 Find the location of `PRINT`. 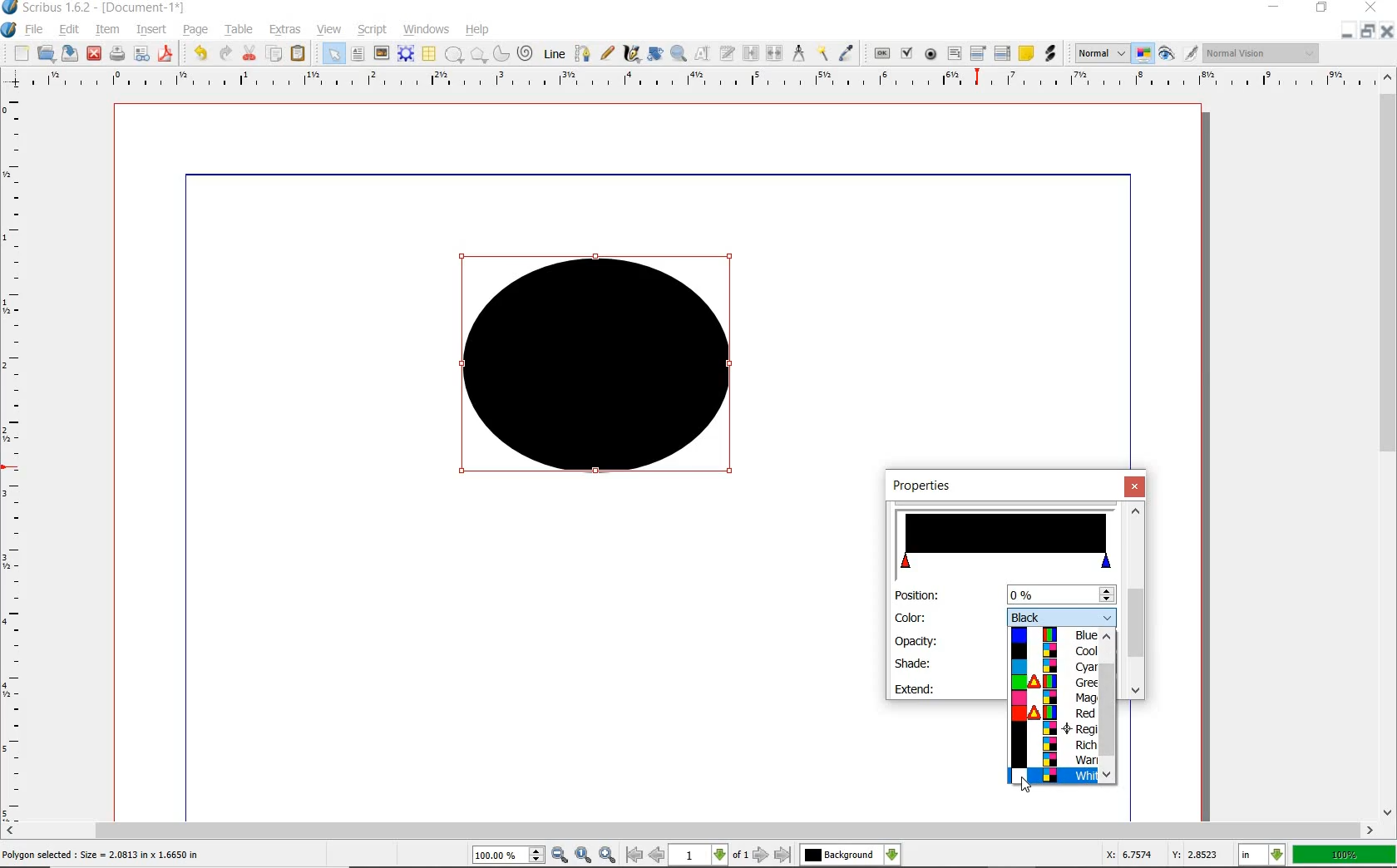

PRINT is located at coordinates (117, 55).